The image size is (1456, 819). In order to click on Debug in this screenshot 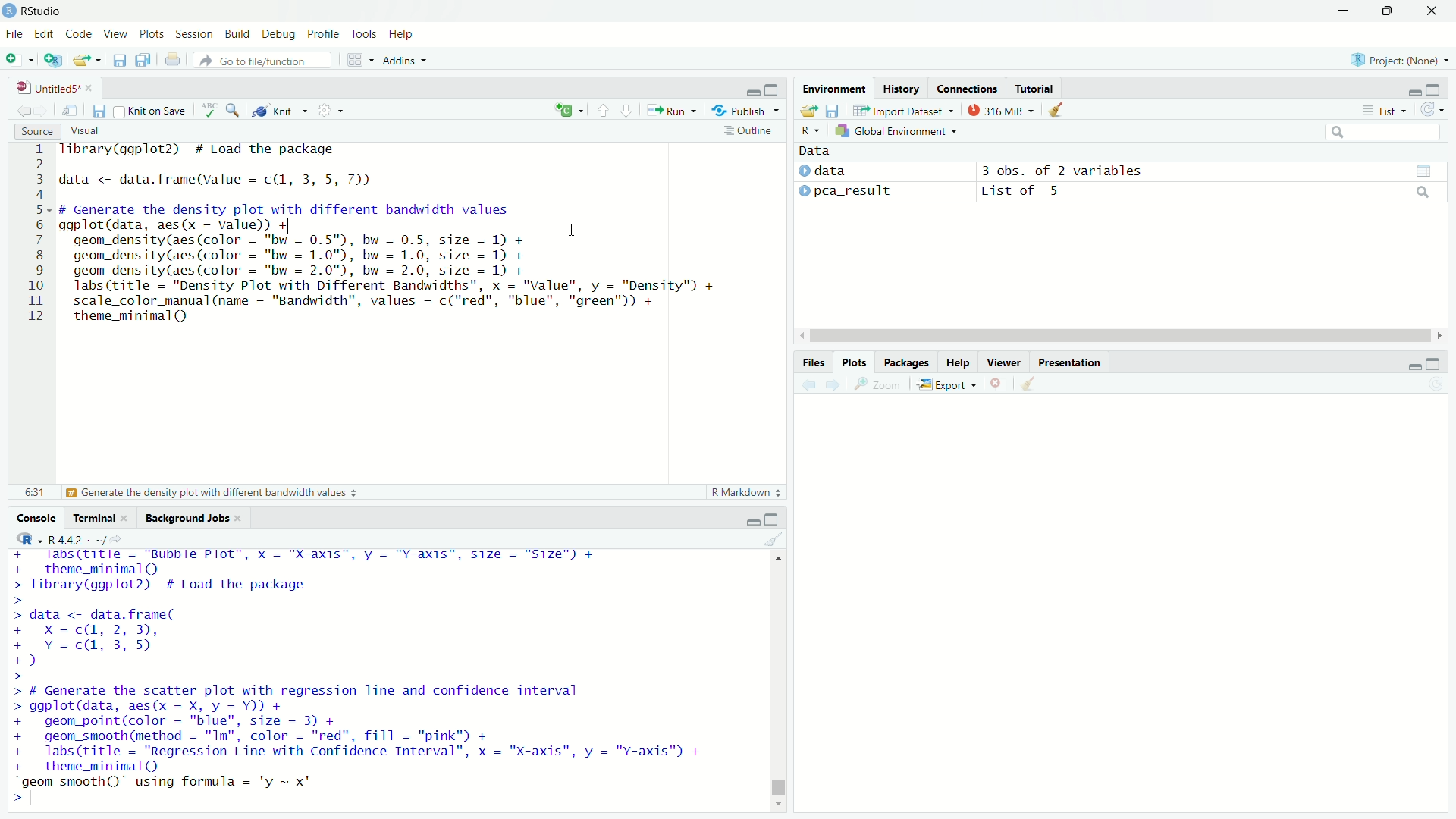, I will do `click(278, 34)`.